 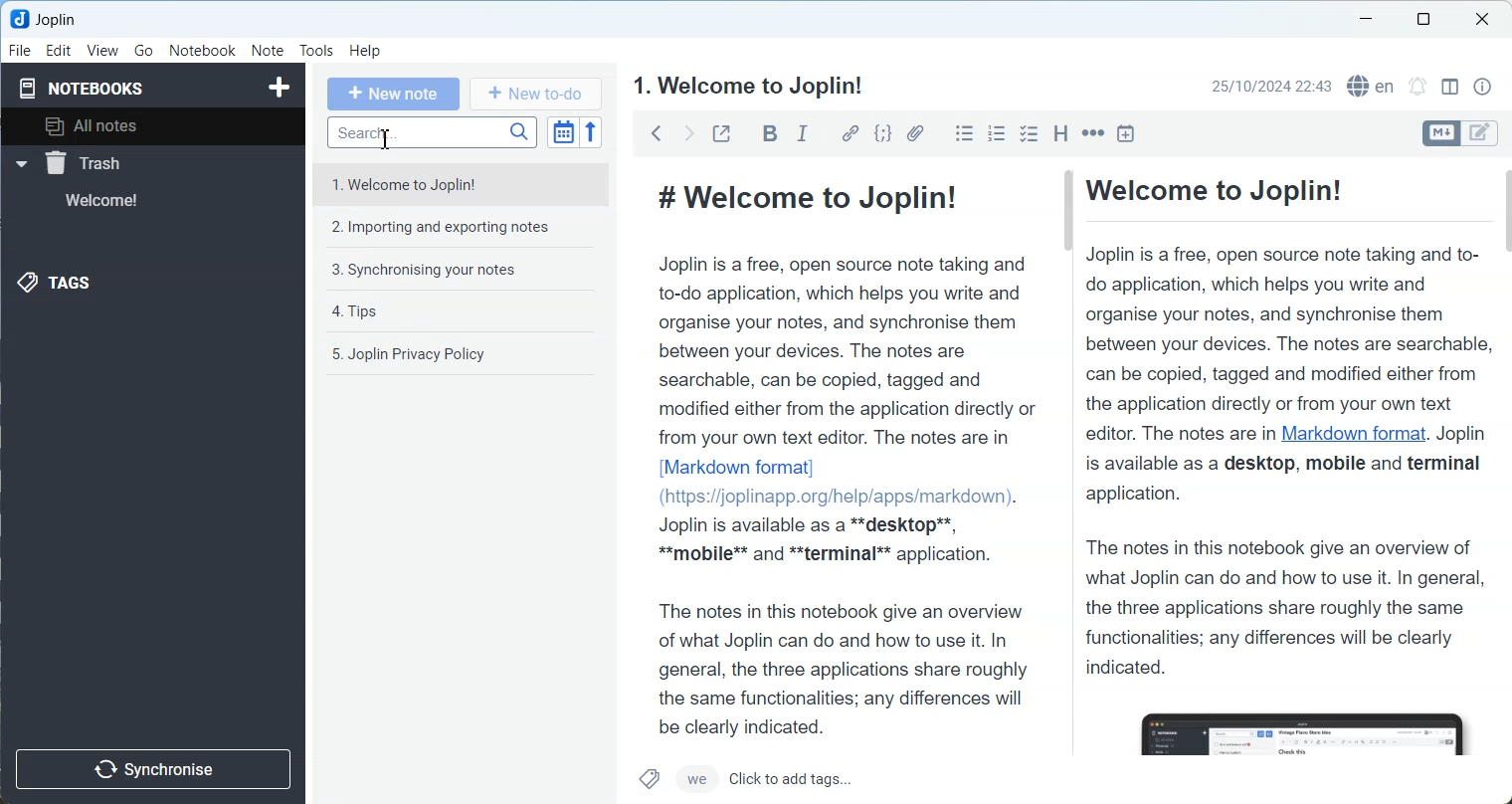 I want to click on Bulleted List, so click(x=964, y=133).